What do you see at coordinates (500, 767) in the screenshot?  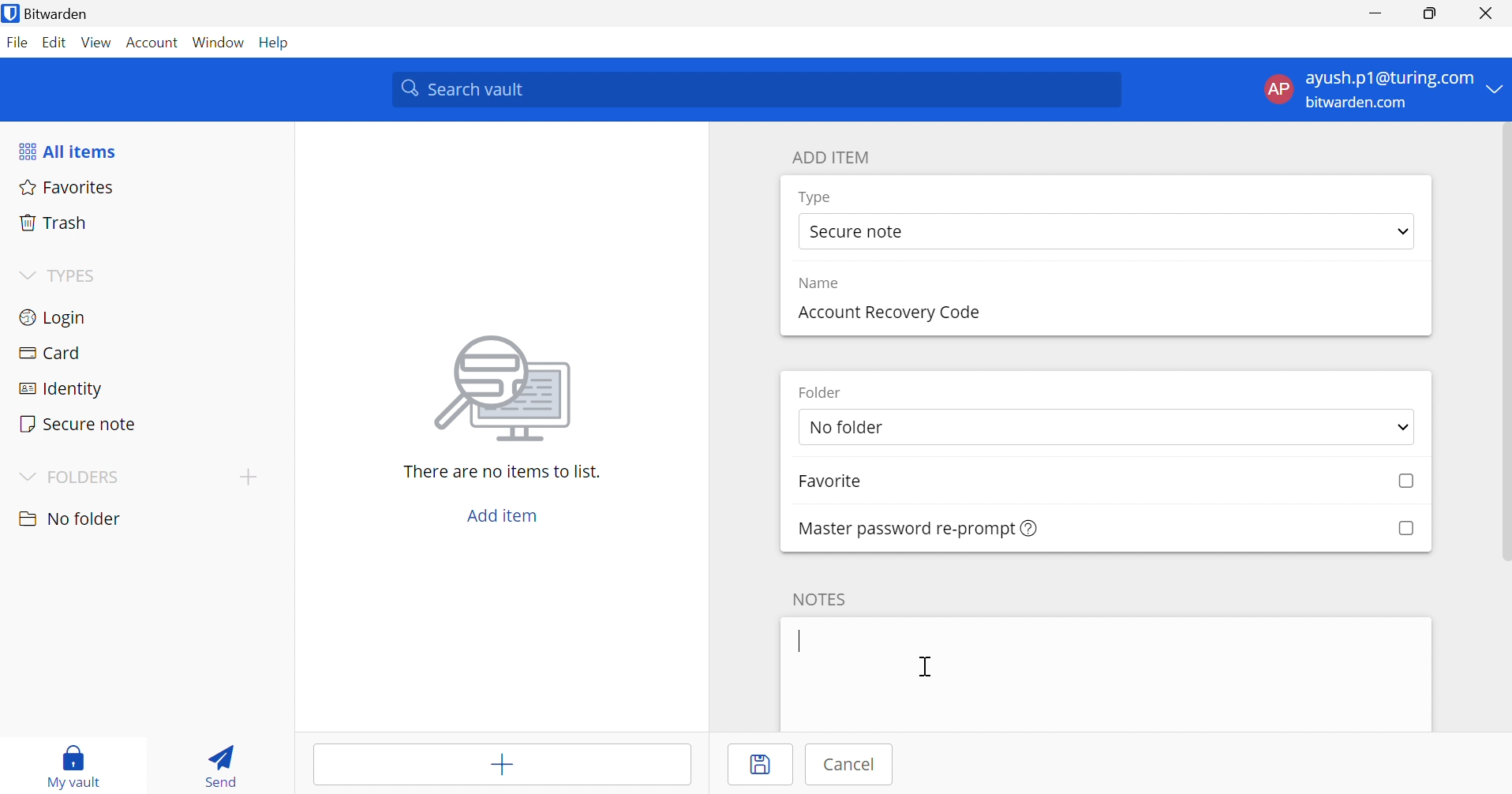 I see `Add item` at bounding box center [500, 767].